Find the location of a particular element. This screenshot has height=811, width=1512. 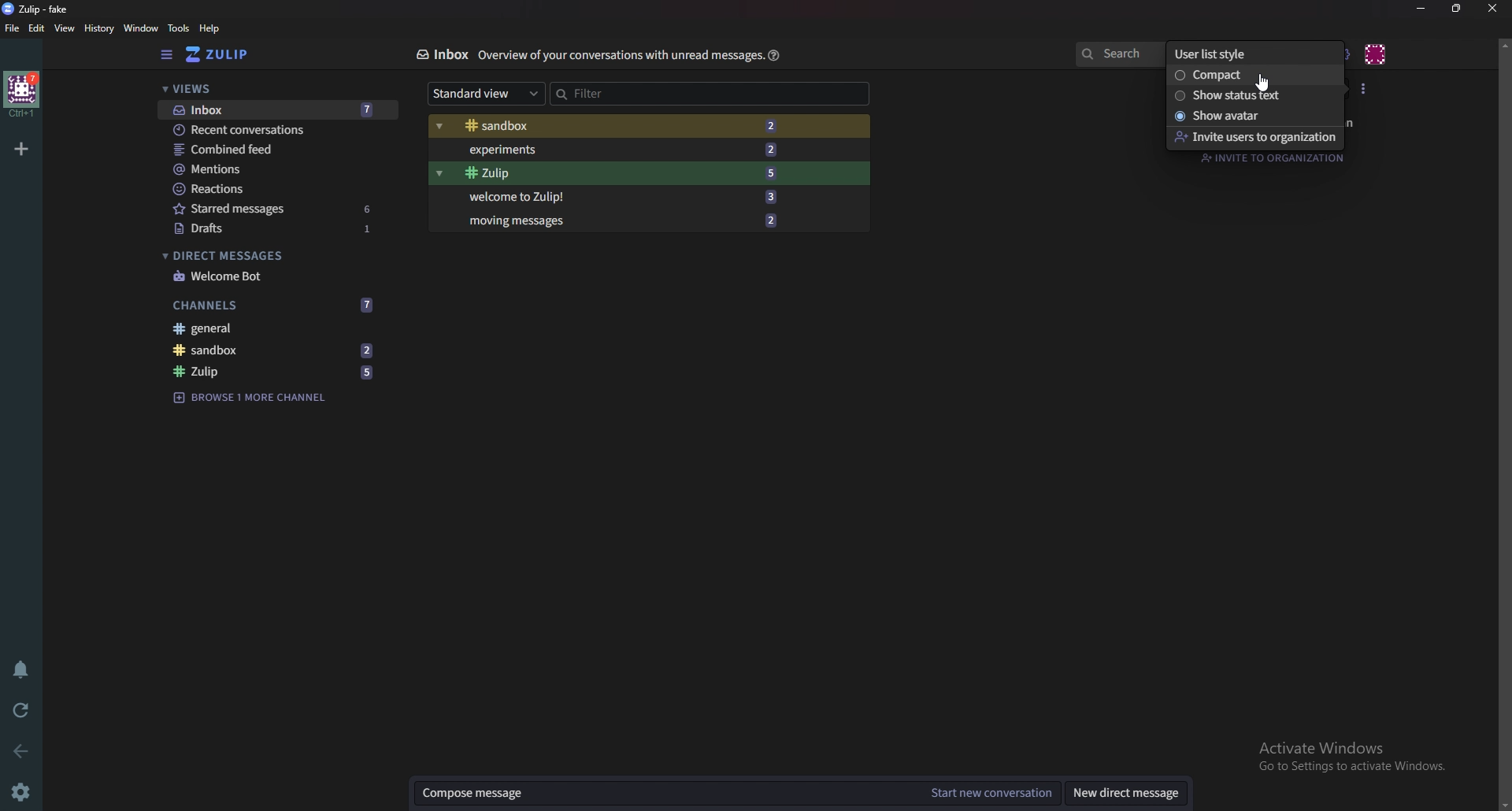

User list style is located at coordinates (1365, 89).